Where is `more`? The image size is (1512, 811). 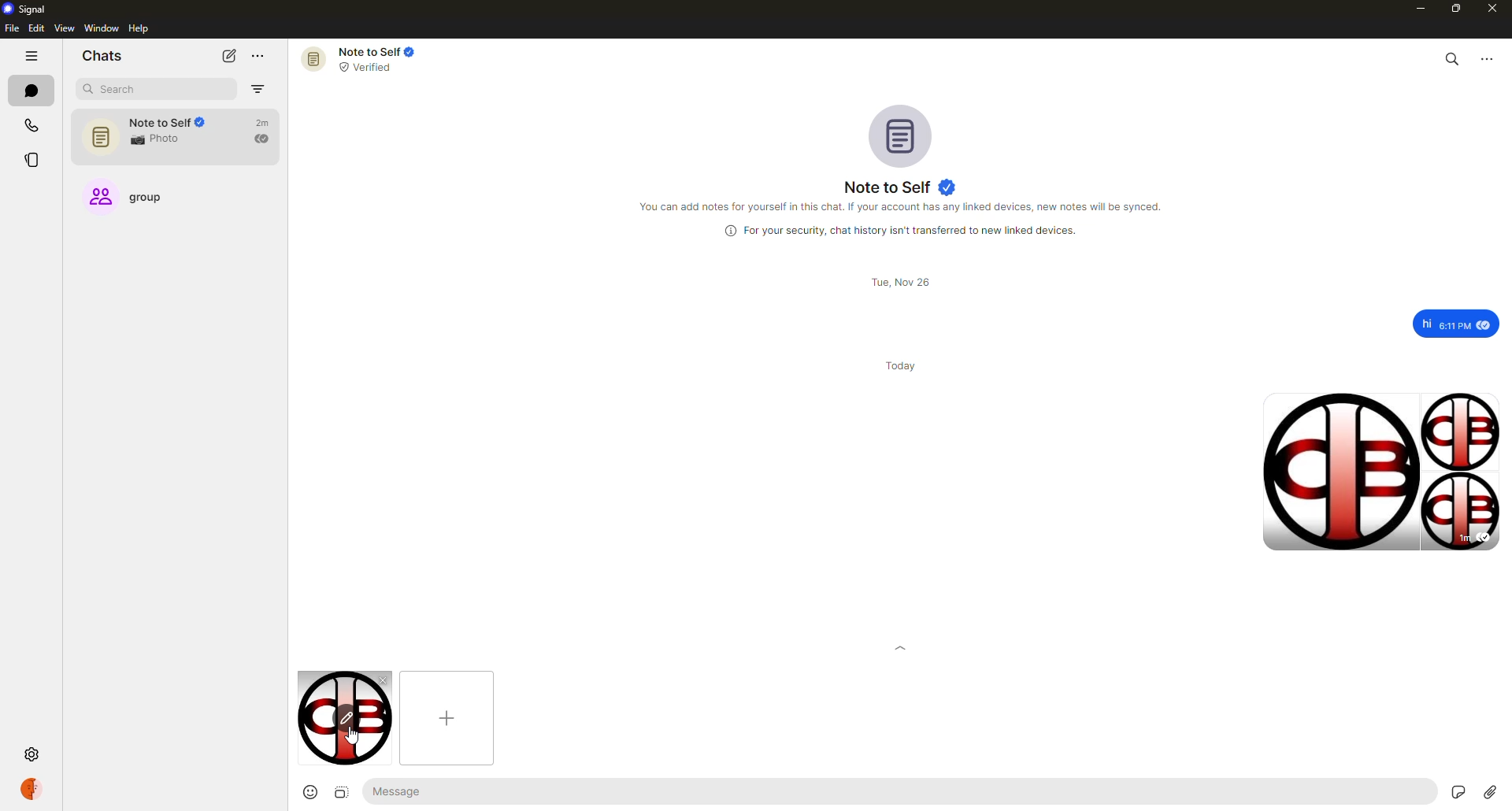 more is located at coordinates (260, 56).